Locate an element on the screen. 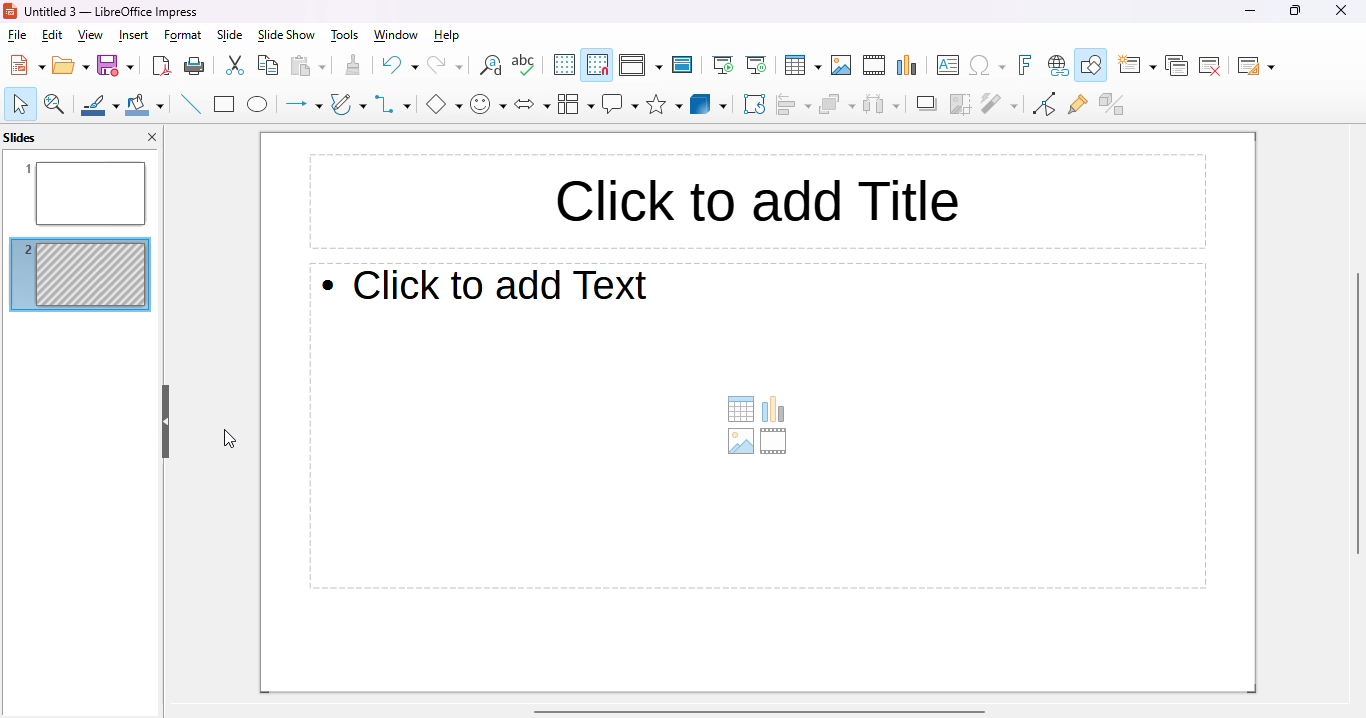 The image size is (1366, 718). copy is located at coordinates (267, 65).